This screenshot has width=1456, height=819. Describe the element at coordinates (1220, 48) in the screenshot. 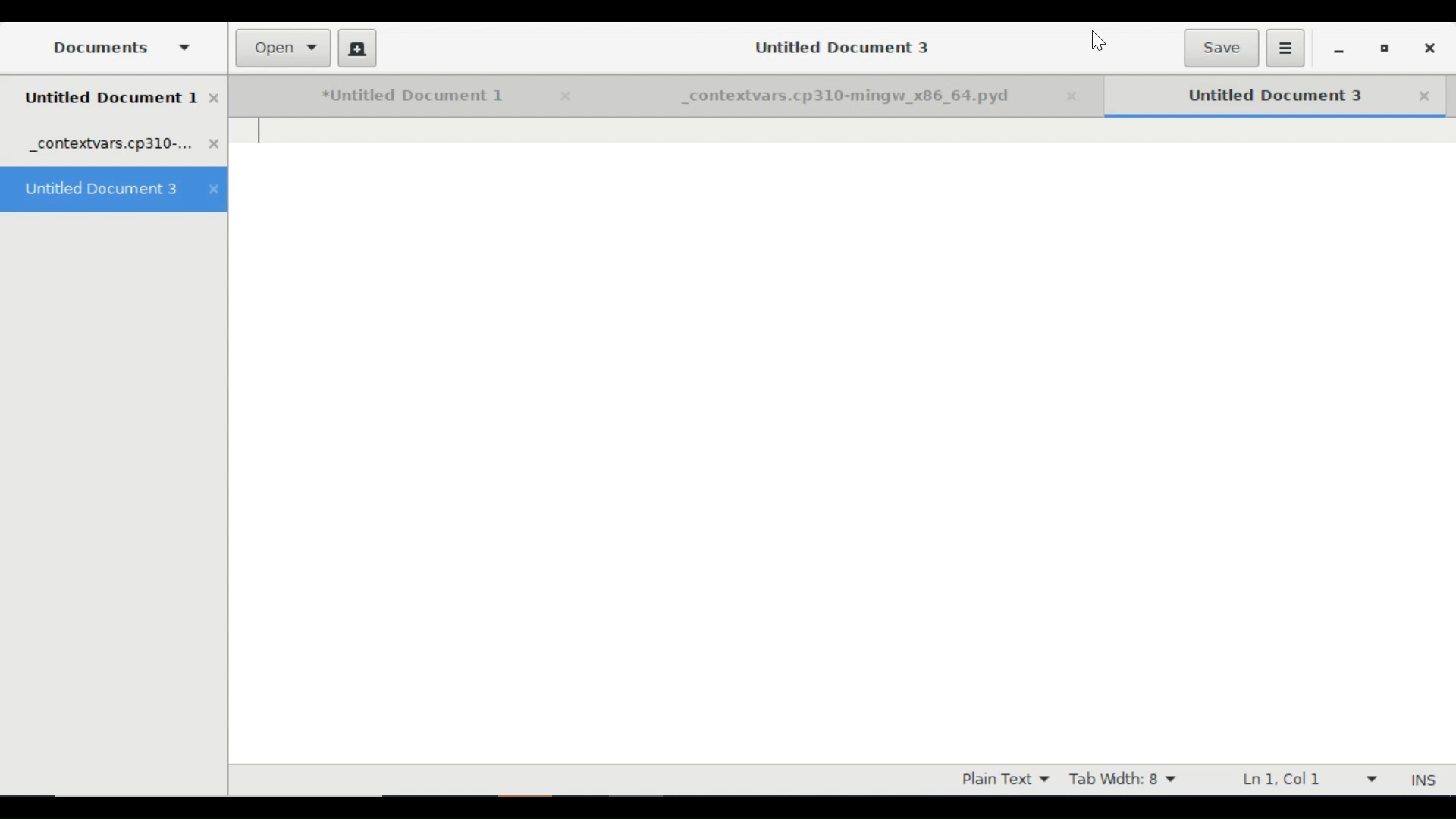

I see `Save` at that location.